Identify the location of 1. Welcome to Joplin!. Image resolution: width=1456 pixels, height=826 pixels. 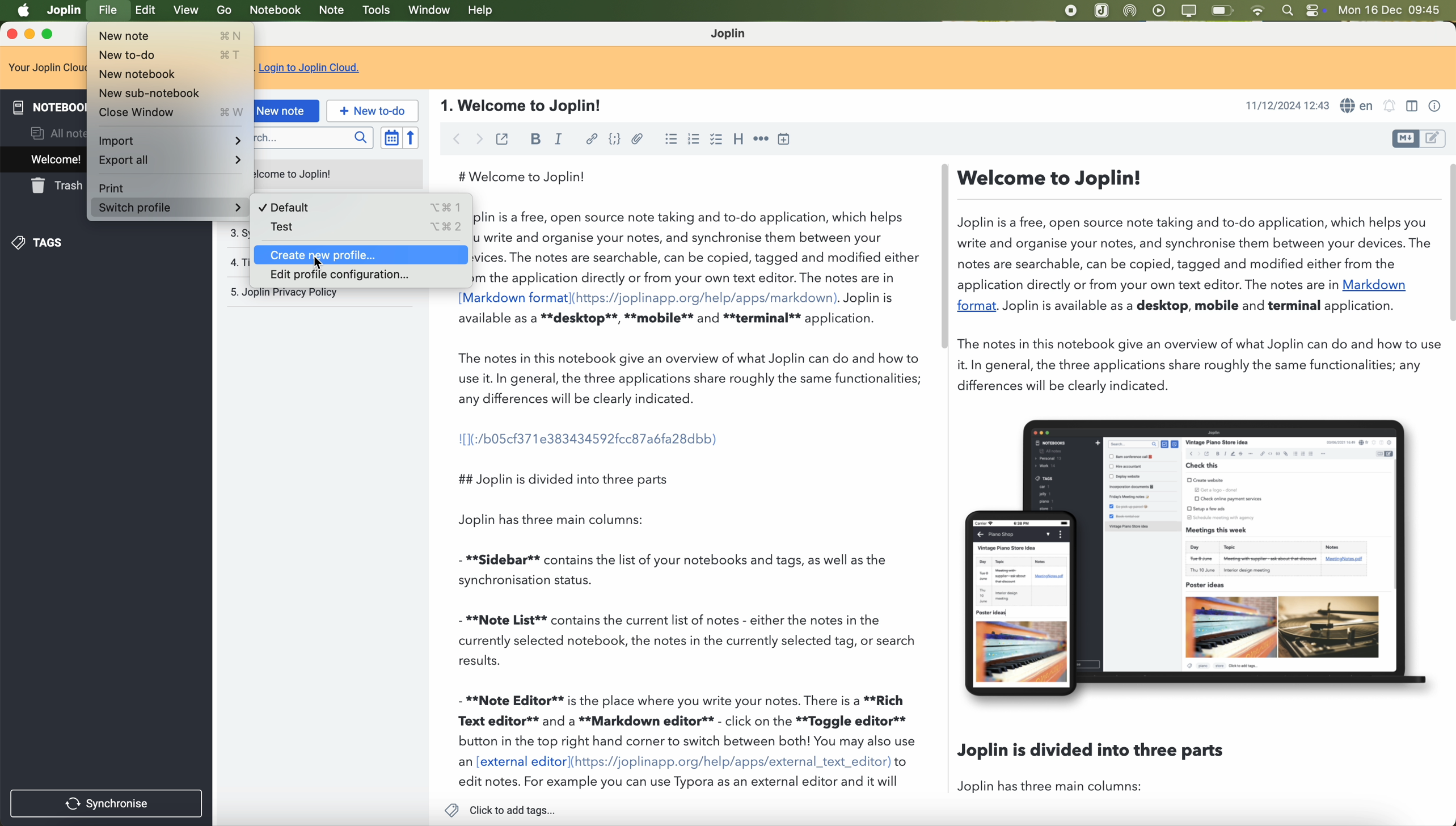
(528, 106).